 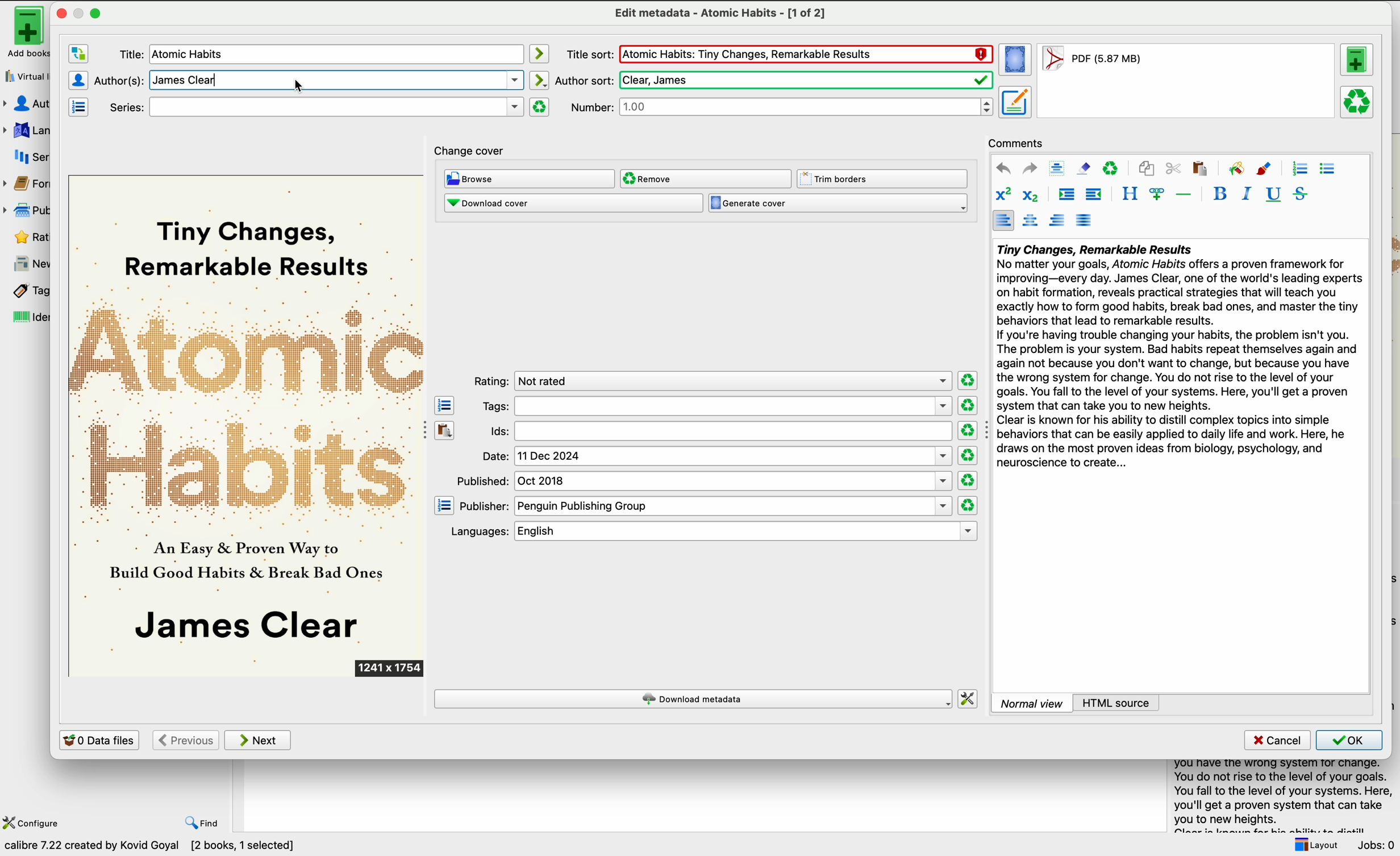 What do you see at coordinates (26, 129) in the screenshot?
I see `languages` at bounding box center [26, 129].